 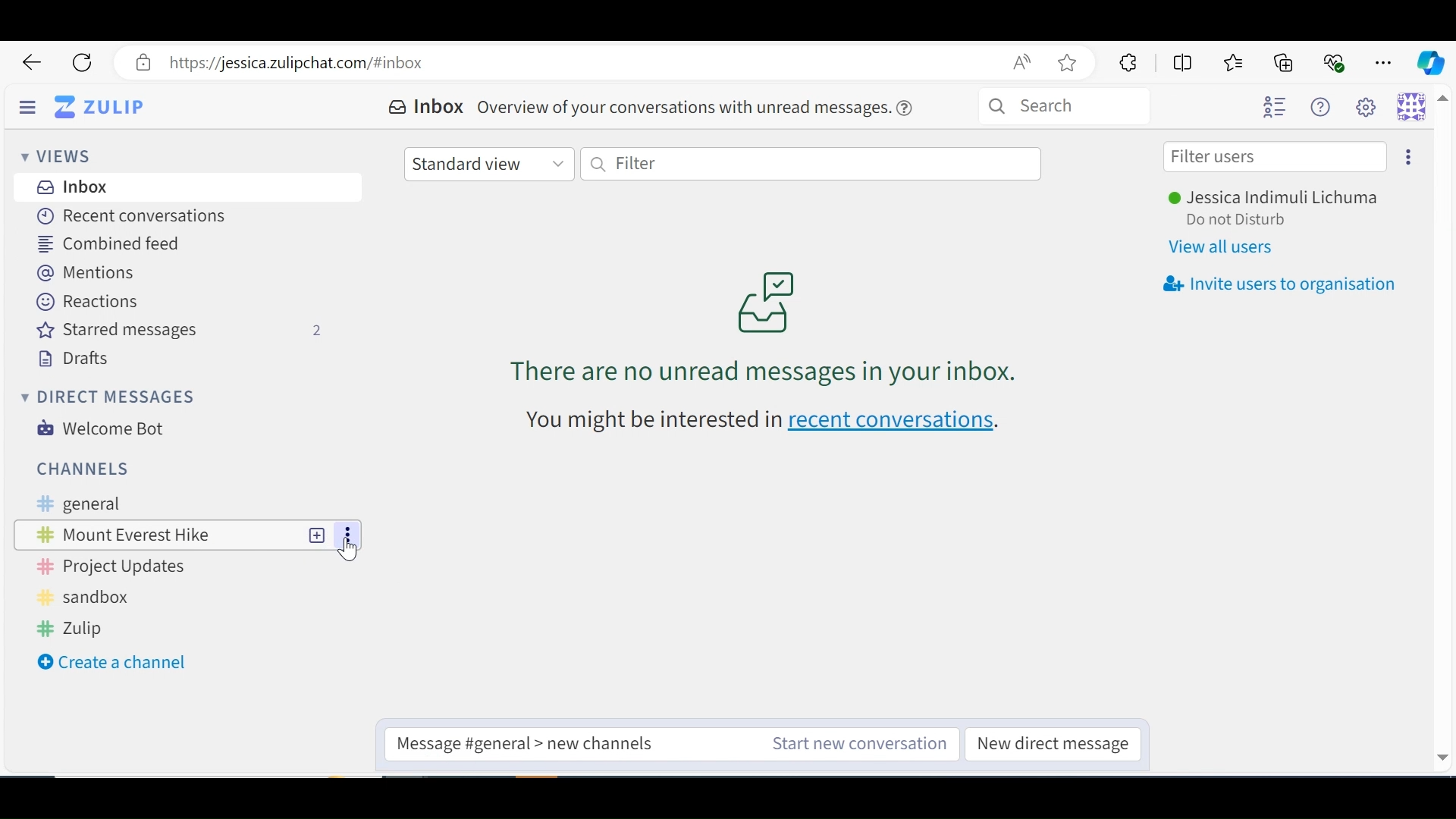 I want to click on Direct Messages, so click(x=105, y=396).